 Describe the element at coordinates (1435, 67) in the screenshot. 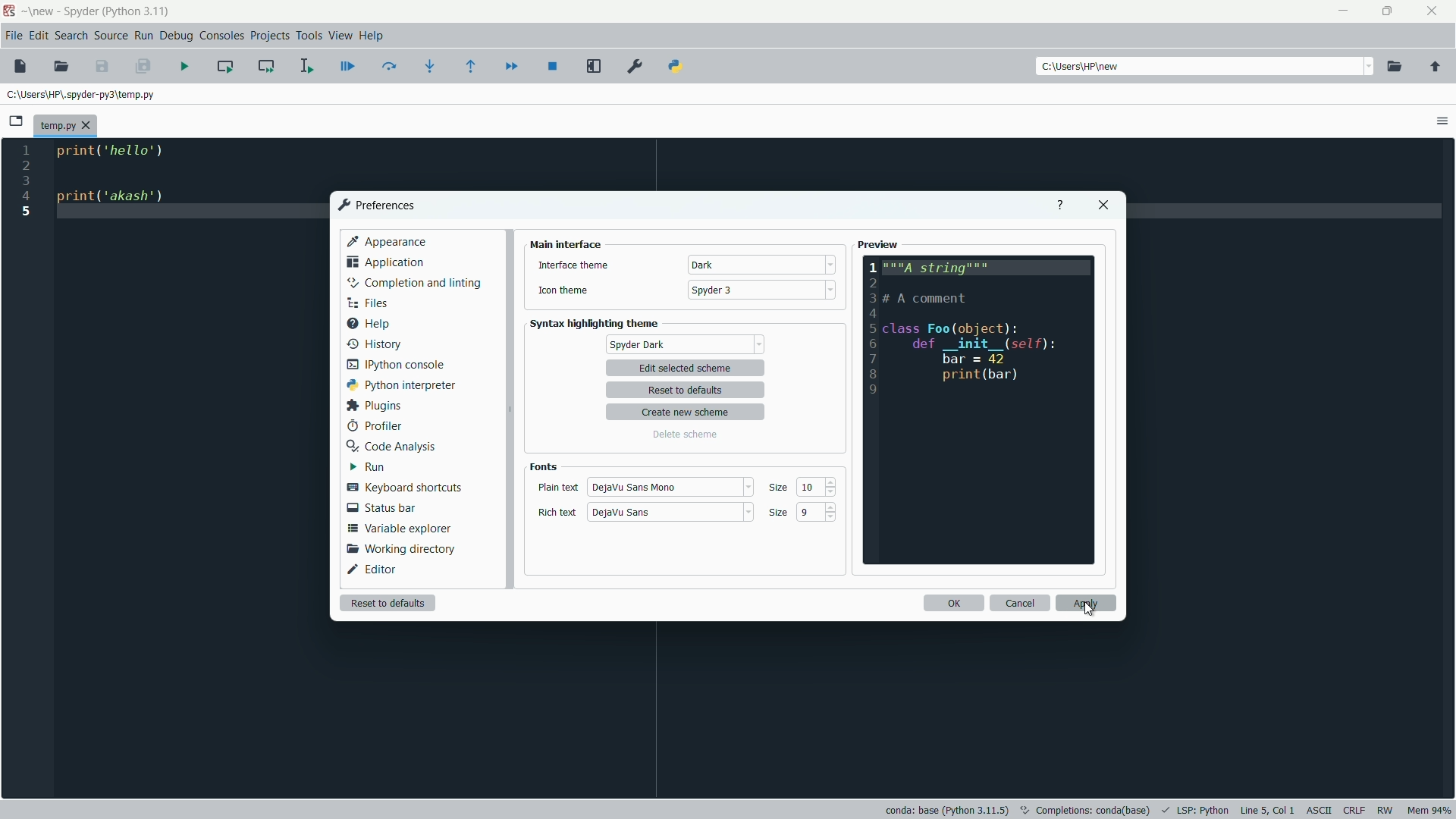

I see `parent directory` at that location.